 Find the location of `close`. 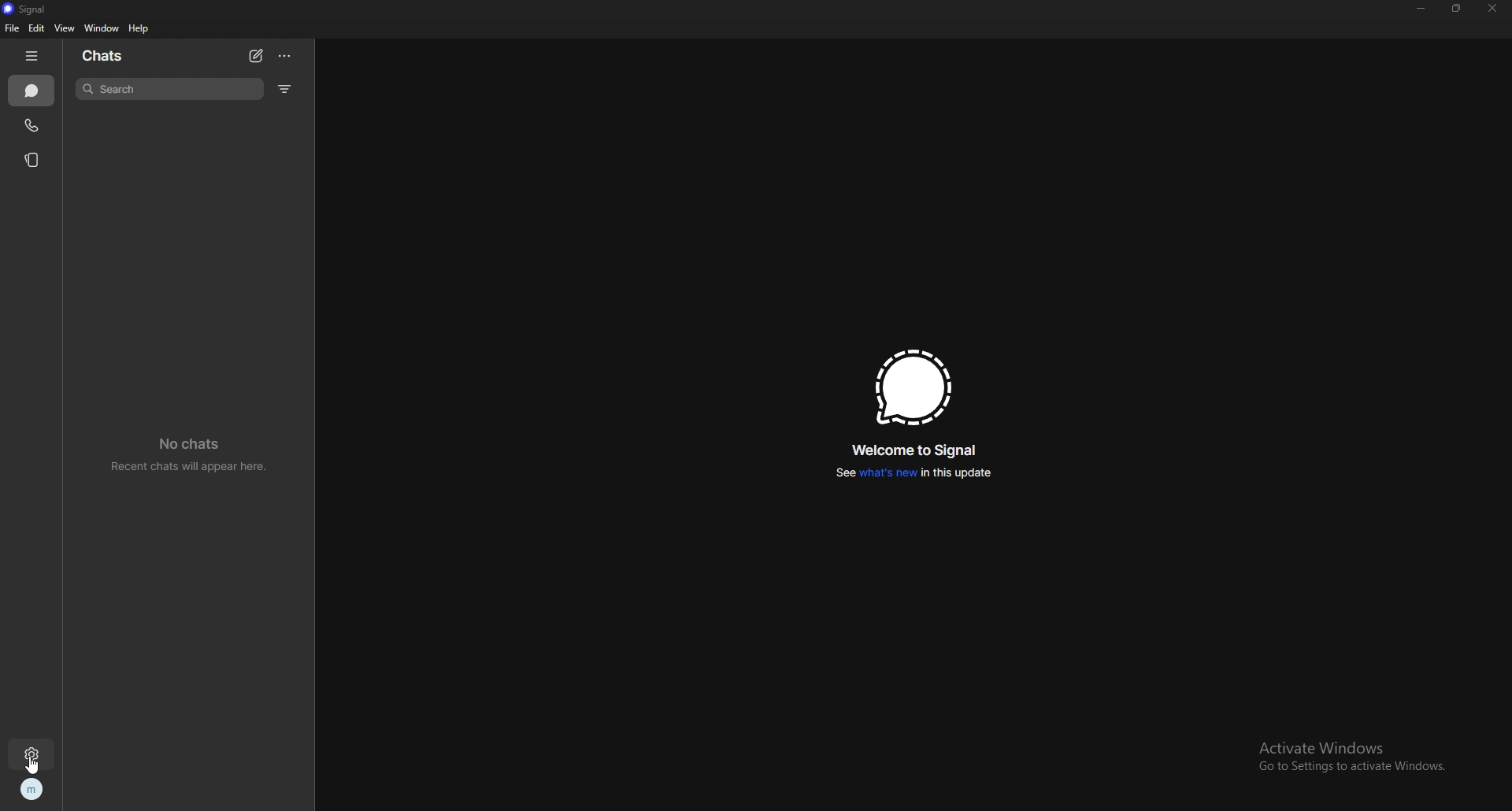

close is located at coordinates (1491, 9).